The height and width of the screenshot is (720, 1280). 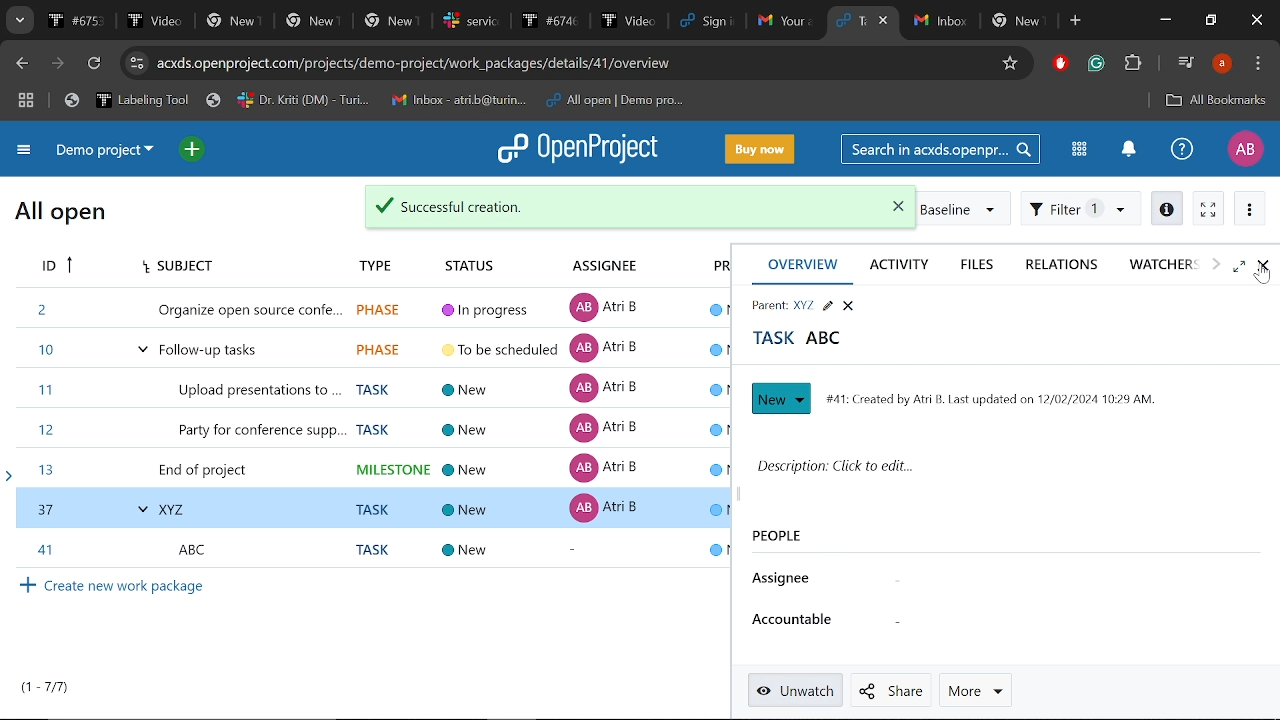 What do you see at coordinates (1182, 148) in the screenshot?
I see `Help` at bounding box center [1182, 148].